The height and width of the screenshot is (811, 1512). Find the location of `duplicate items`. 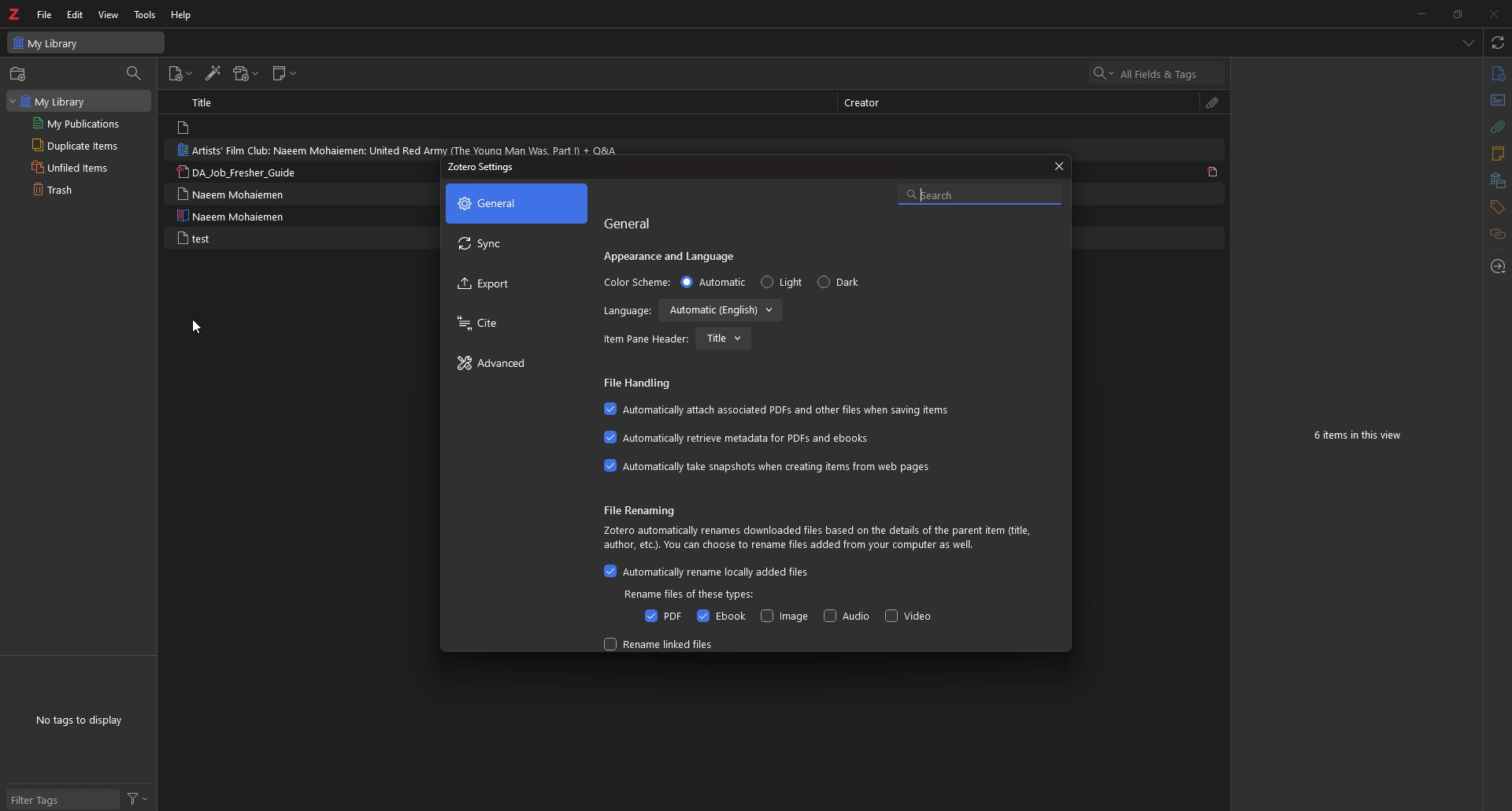

duplicate items is located at coordinates (82, 144).